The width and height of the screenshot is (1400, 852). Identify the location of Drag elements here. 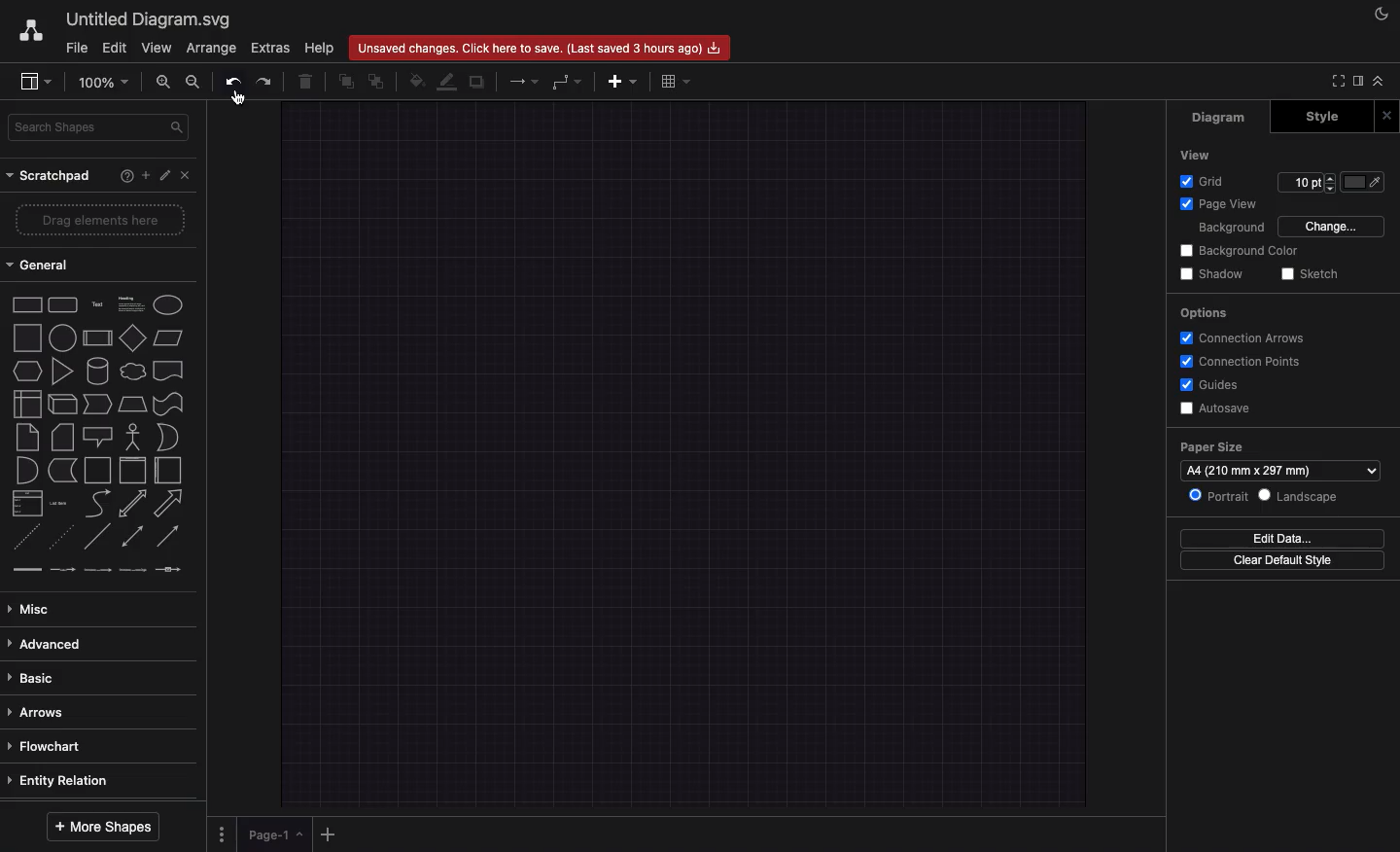
(99, 219).